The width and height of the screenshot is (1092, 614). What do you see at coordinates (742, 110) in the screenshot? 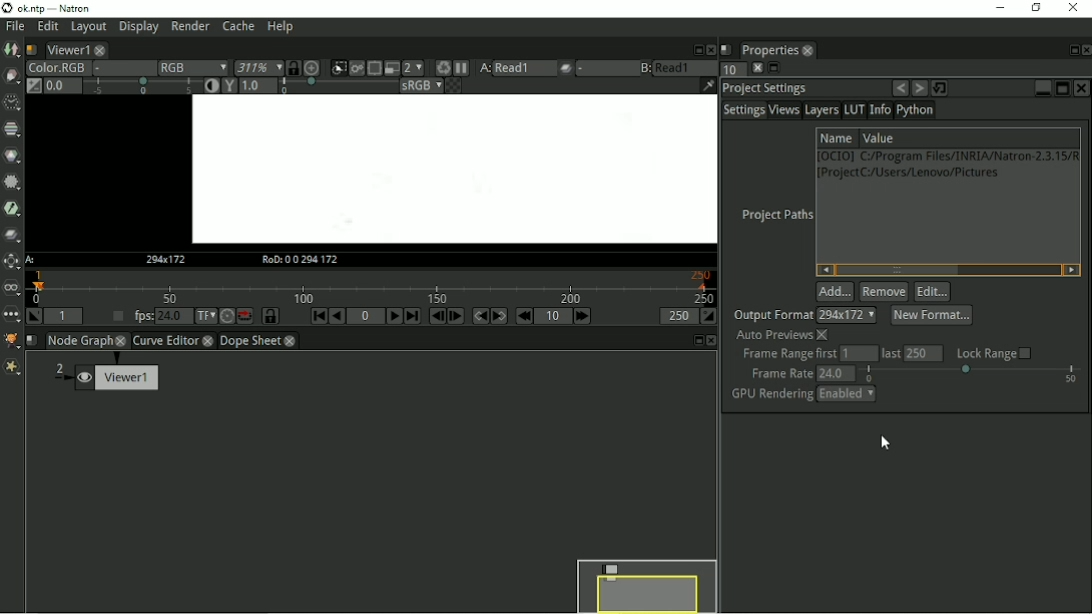
I see `Settings` at bounding box center [742, 110].